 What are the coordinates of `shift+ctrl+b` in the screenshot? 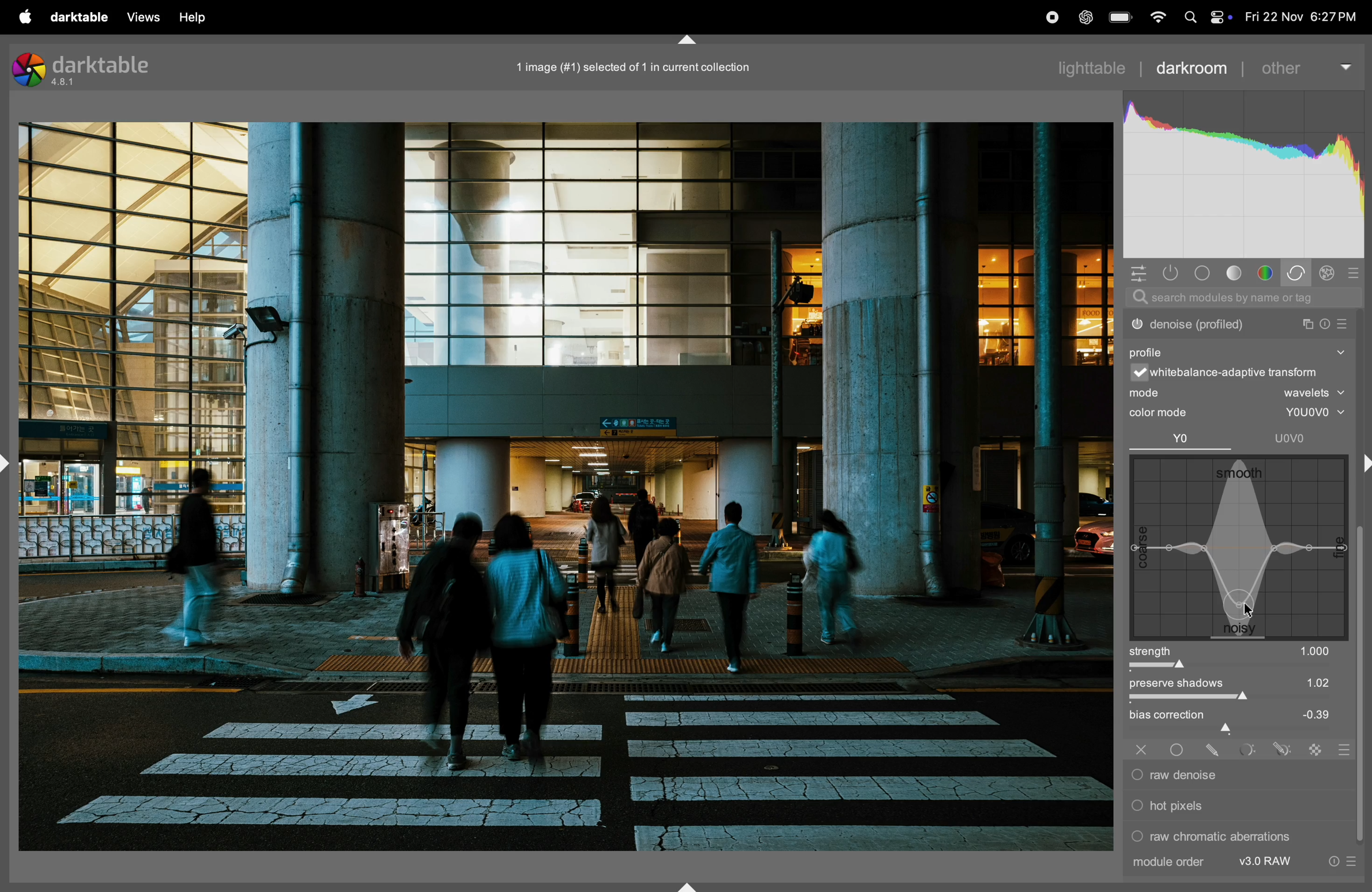 It's located at (689, 886).